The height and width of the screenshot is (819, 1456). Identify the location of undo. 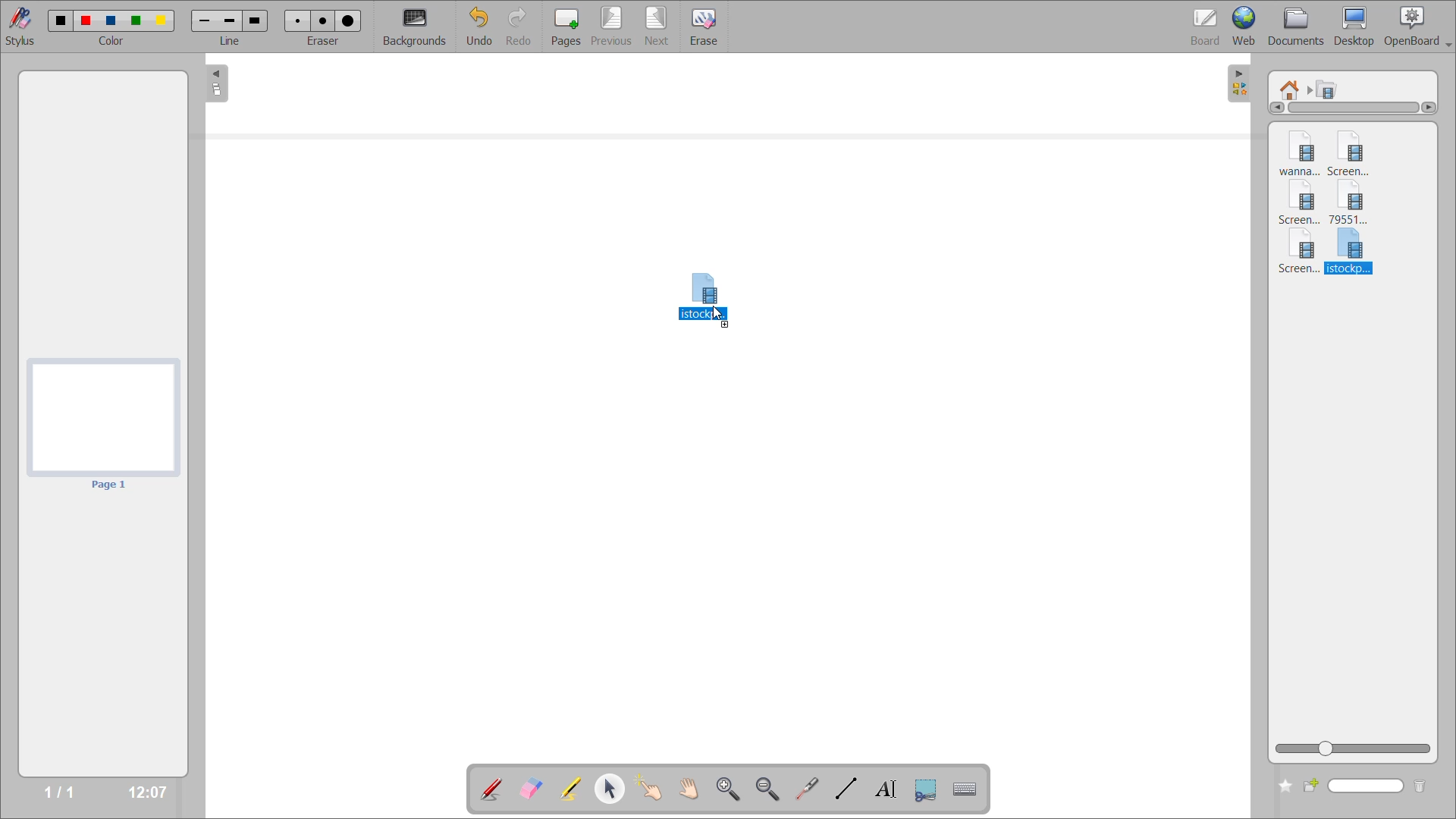
(478, 27).